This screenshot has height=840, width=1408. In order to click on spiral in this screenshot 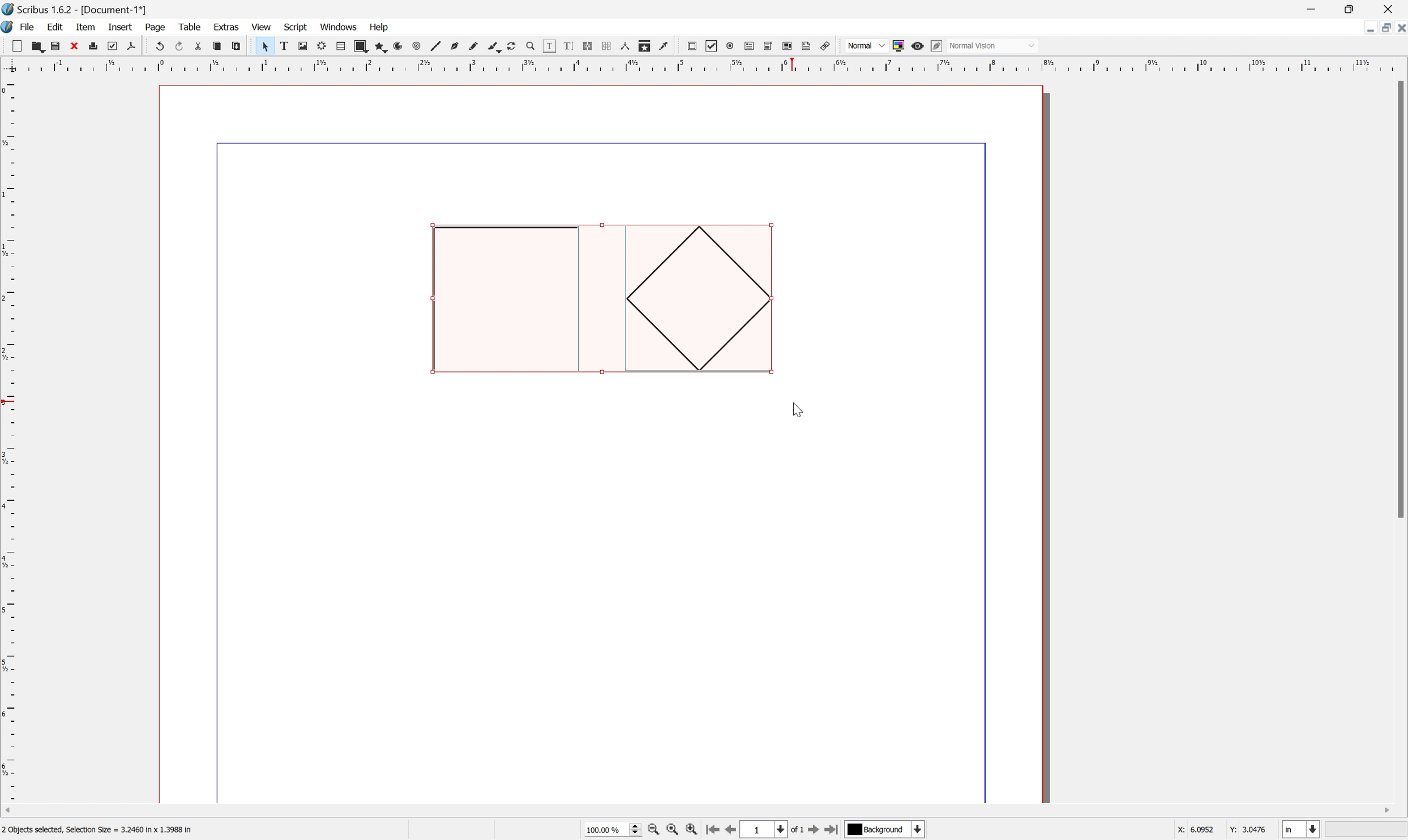, I will do `click(414, 47)`.